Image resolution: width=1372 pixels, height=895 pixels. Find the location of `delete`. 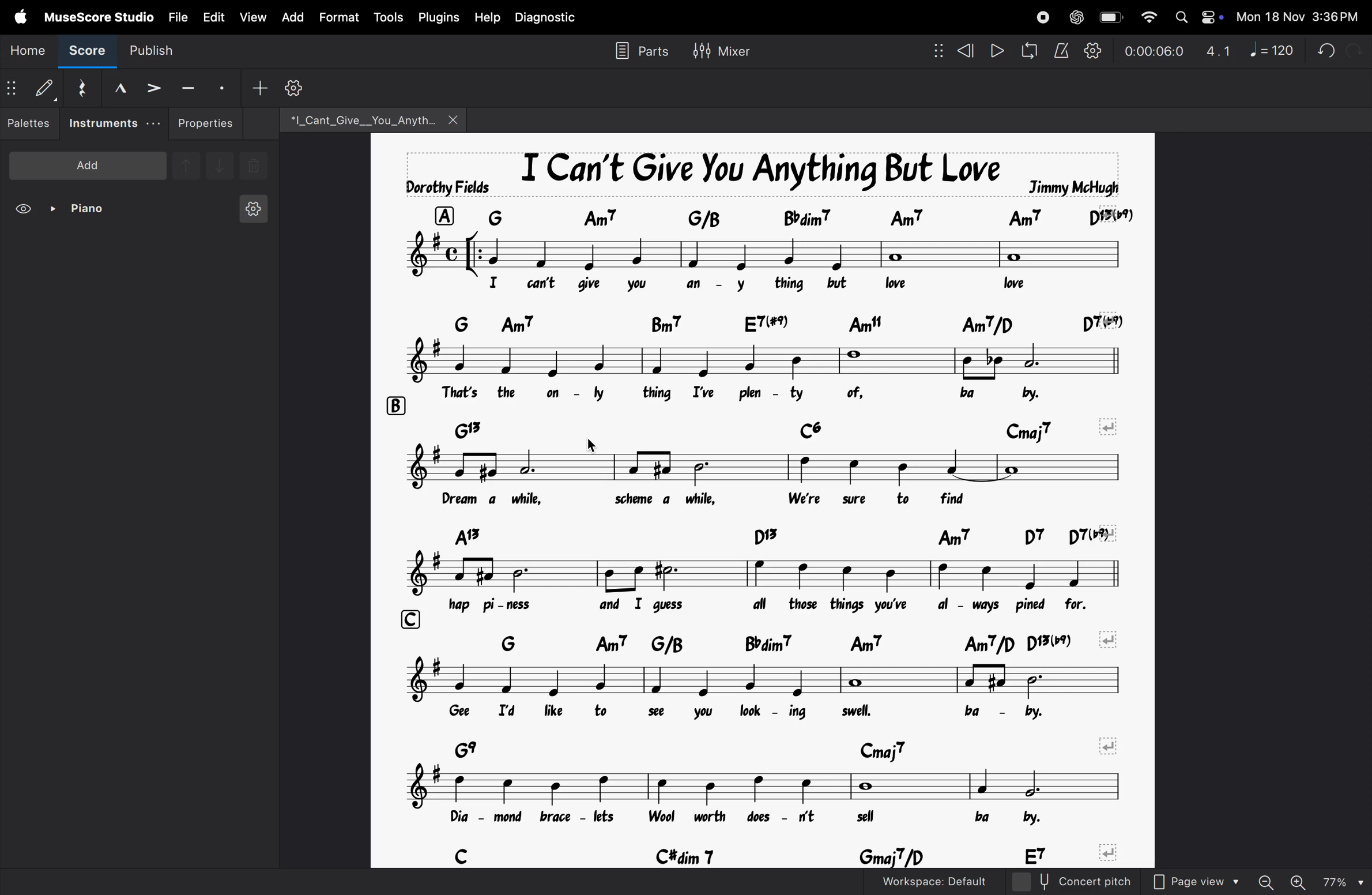

delete is located at coordinates (257, 167).